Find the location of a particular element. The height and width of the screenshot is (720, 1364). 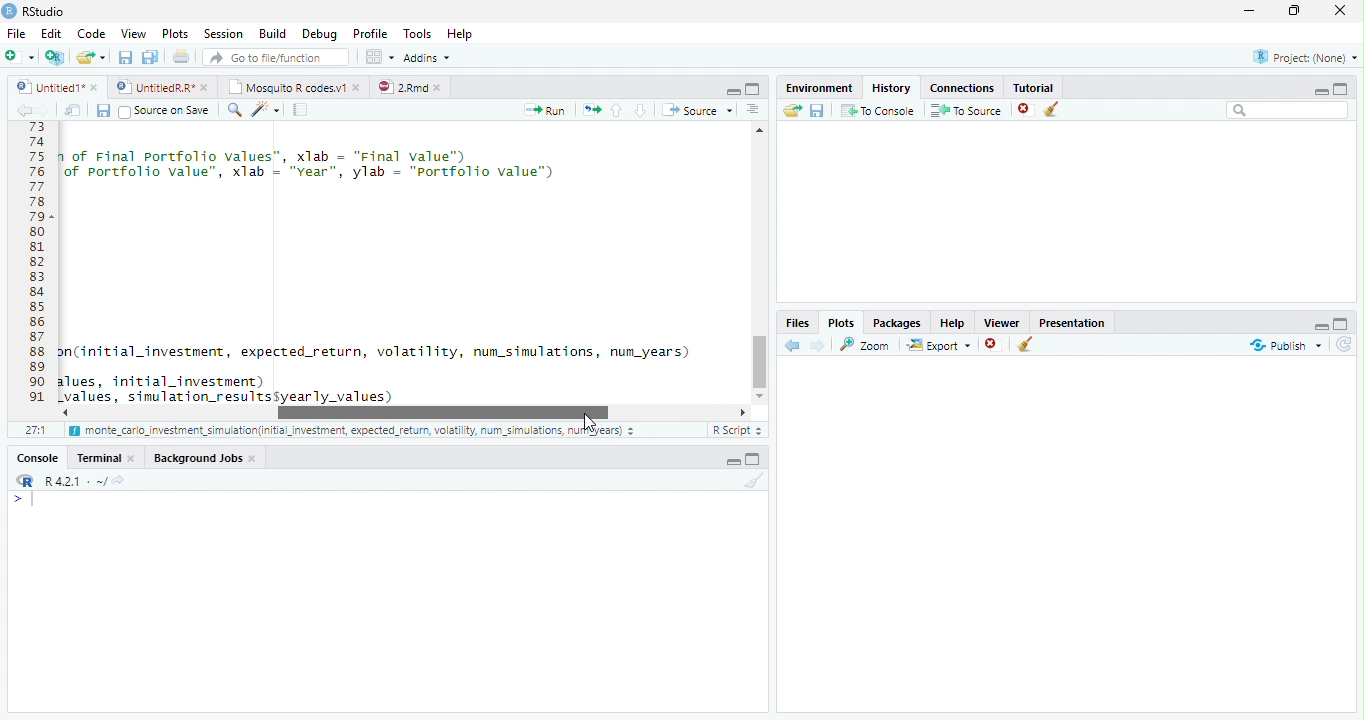

Clear is located at coordinates (751, 481).